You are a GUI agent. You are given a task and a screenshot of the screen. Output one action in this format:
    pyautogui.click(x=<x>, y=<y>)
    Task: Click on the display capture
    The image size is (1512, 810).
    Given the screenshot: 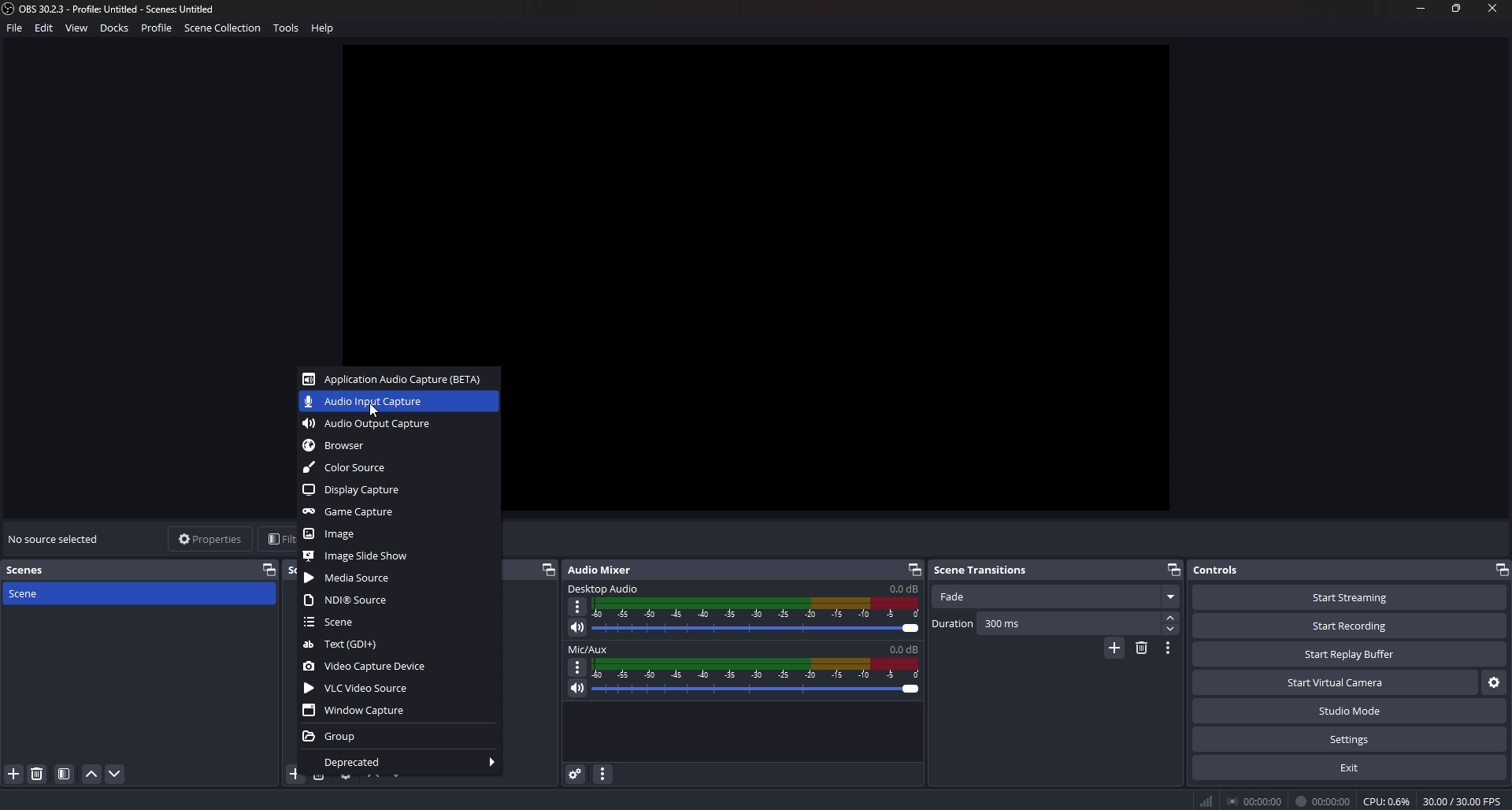 What is the action you would take?
    pyautogui.click(x=398, y=490)
    